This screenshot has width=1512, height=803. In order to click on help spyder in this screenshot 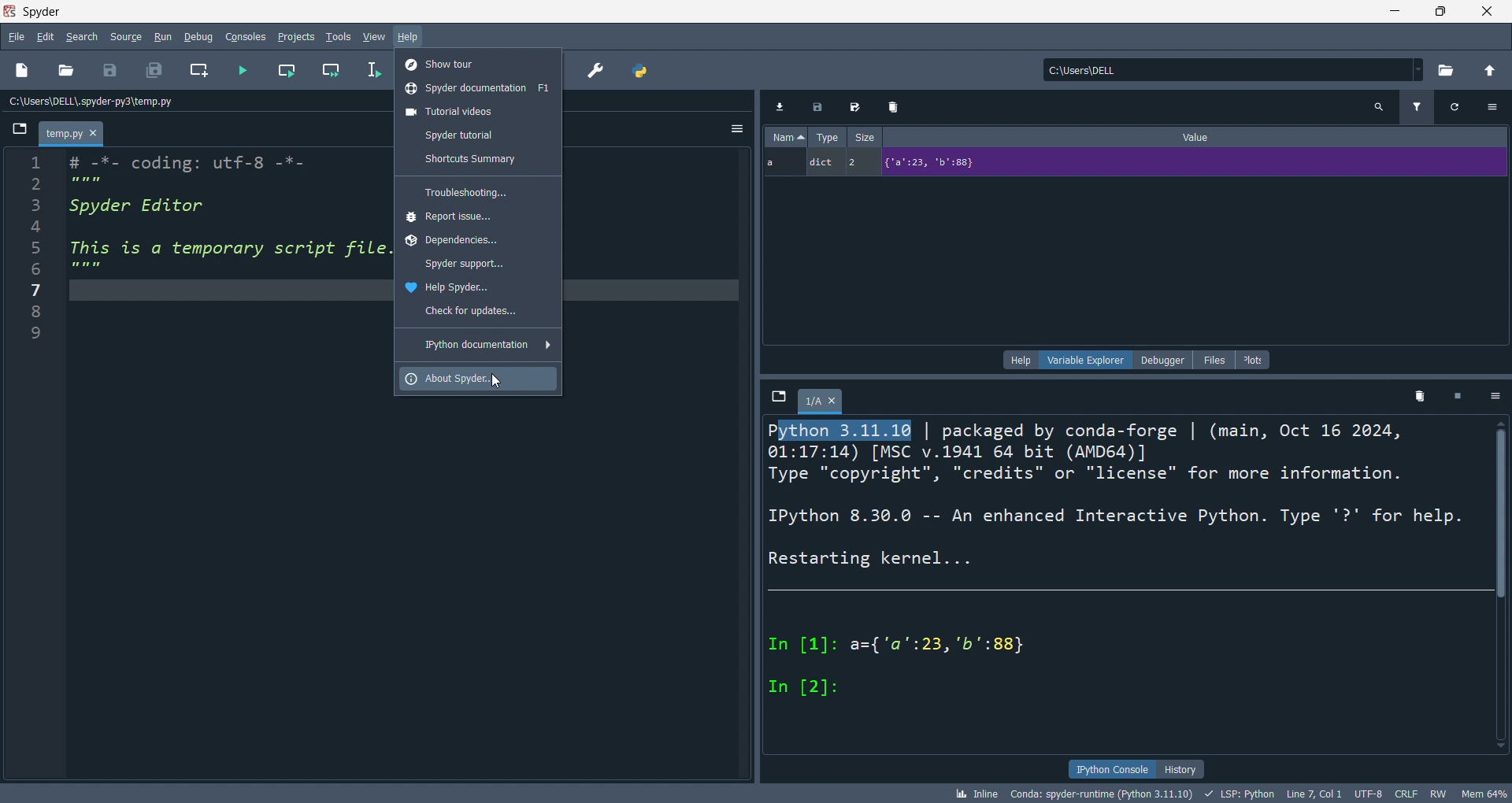, I will do `click(477, 287)`.